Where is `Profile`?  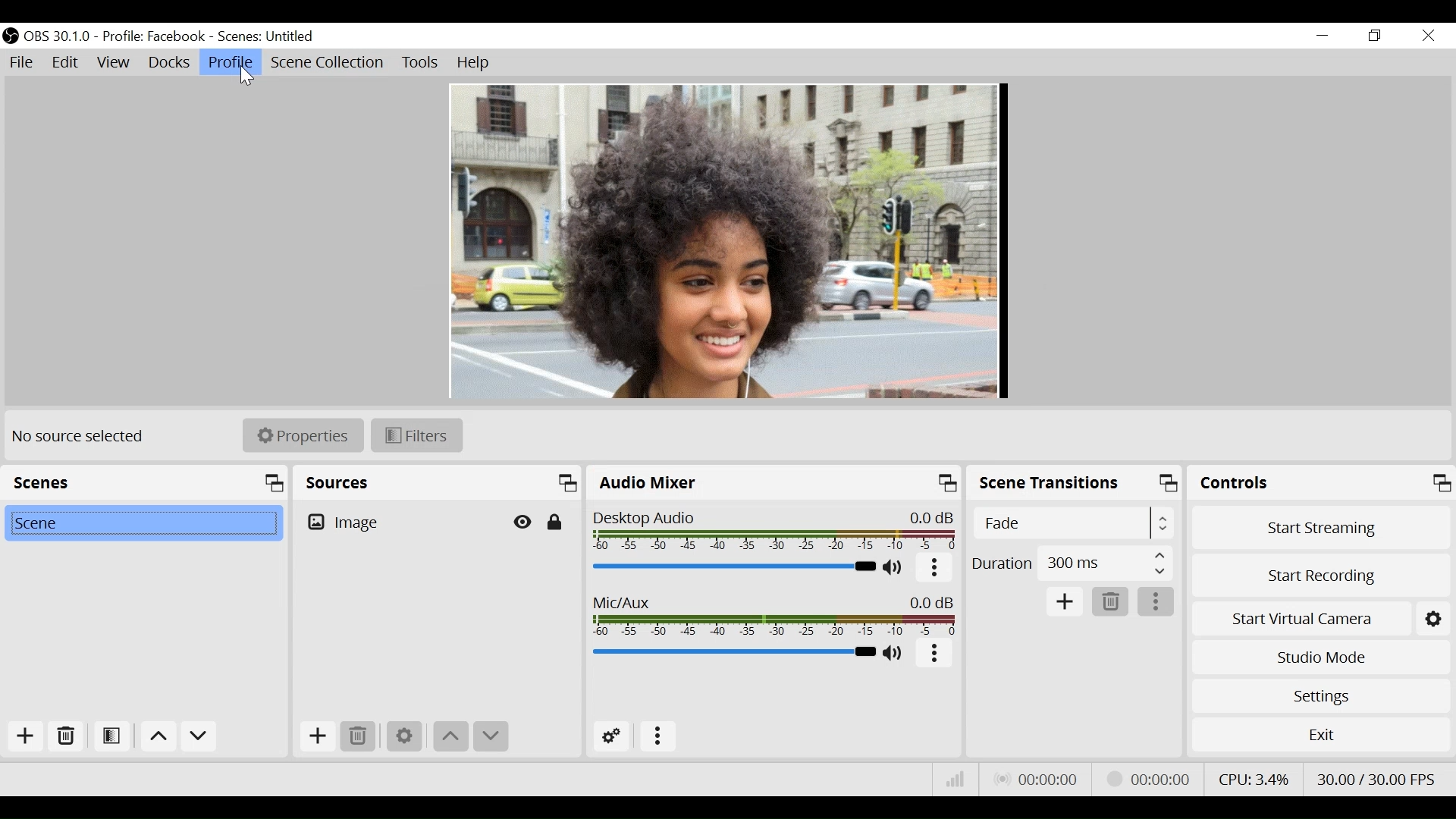
Profile is located at coordinates (231, 61).